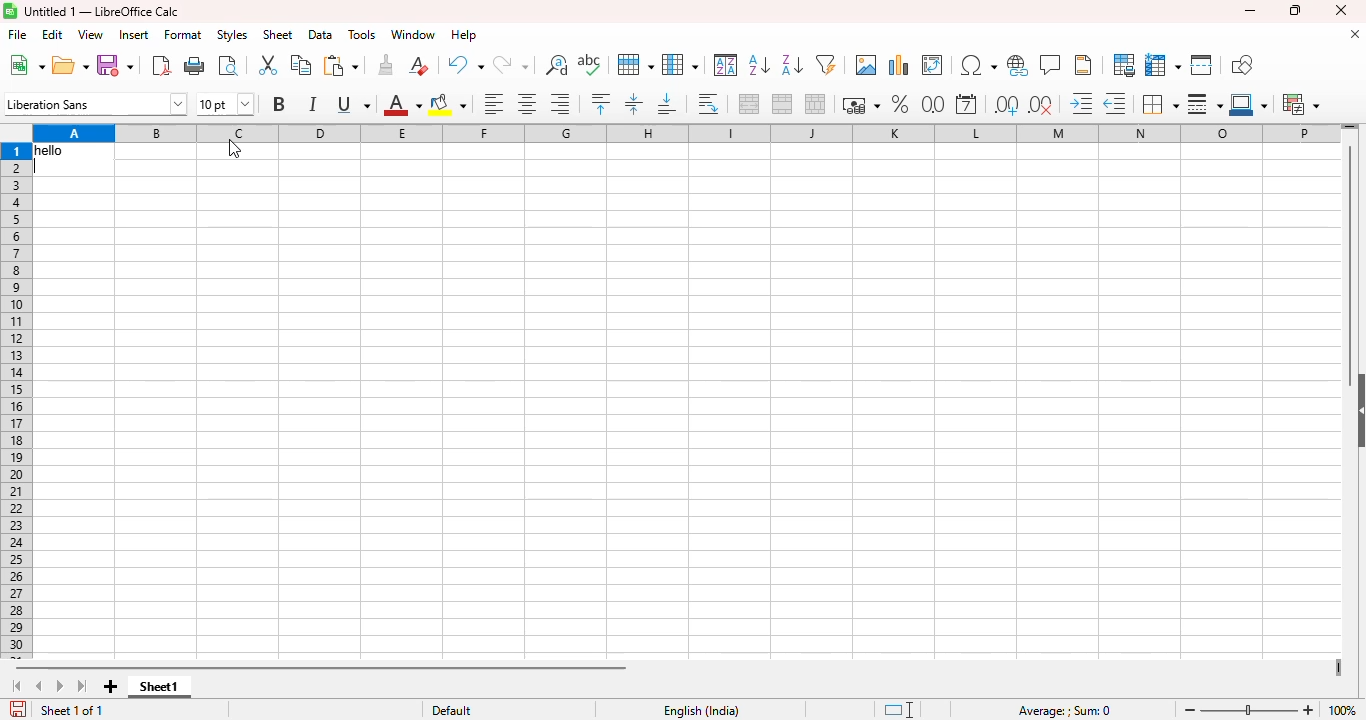 This screenshot has height=720, width=1366. What do you see at coordinates (759, 64) in the screenshot?
I see `sort ascending` at bounding box center [759, 64].